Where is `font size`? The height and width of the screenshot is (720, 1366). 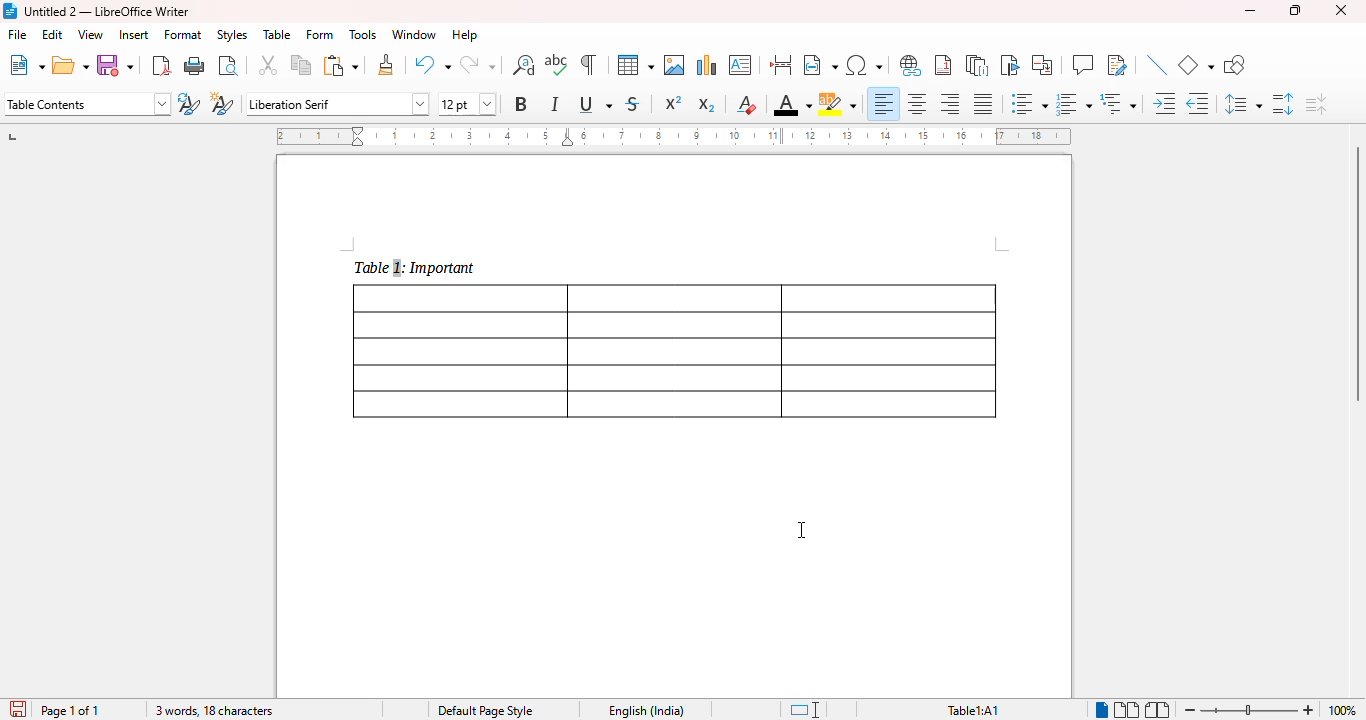
font size is located at coordinates (468, 104).